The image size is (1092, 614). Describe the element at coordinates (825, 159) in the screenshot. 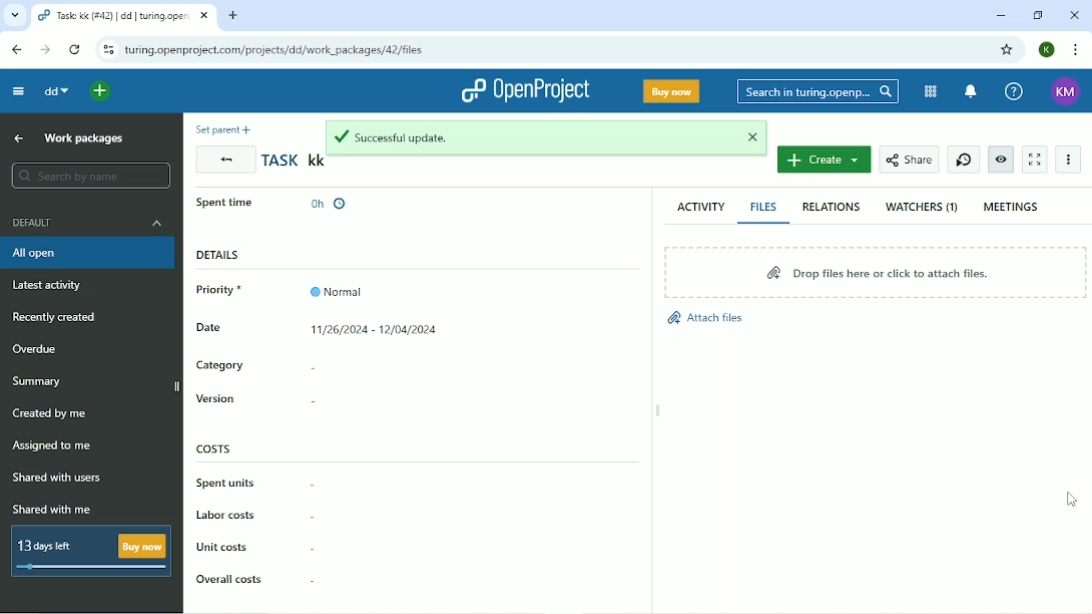

I see `Create` at that location.